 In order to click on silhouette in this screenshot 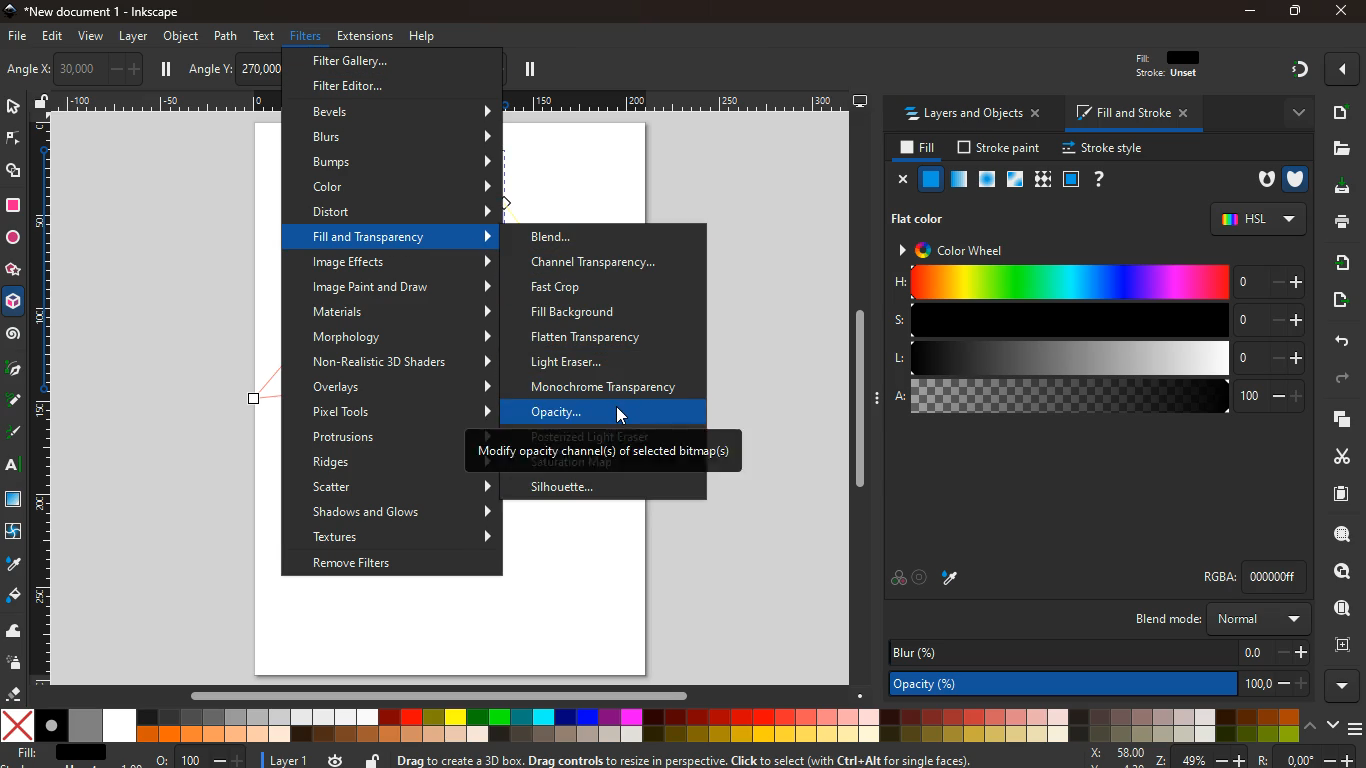, I will do `click(573, 488)`.